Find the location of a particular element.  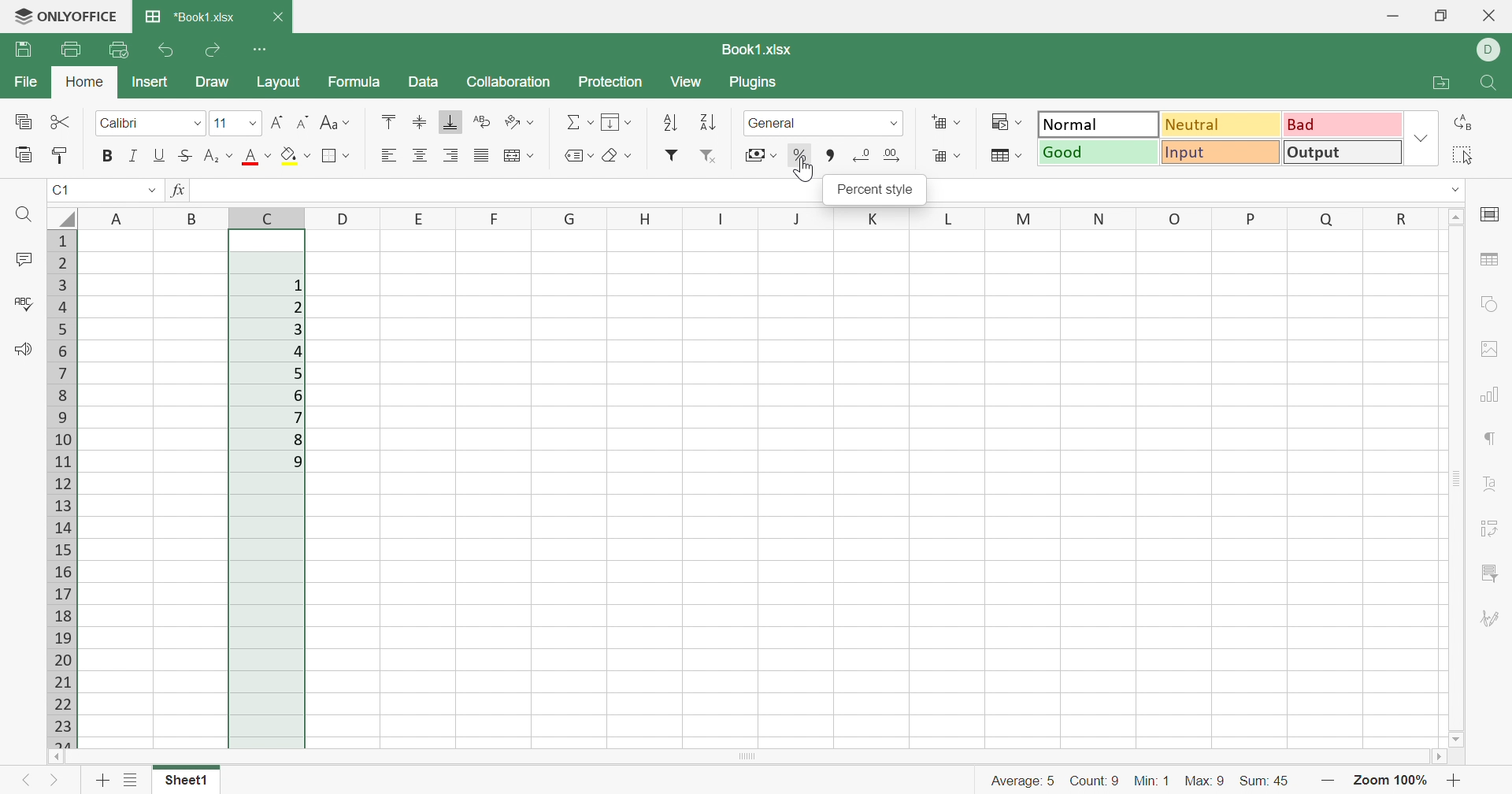

Copy Style is located at coordinates (58, 155).